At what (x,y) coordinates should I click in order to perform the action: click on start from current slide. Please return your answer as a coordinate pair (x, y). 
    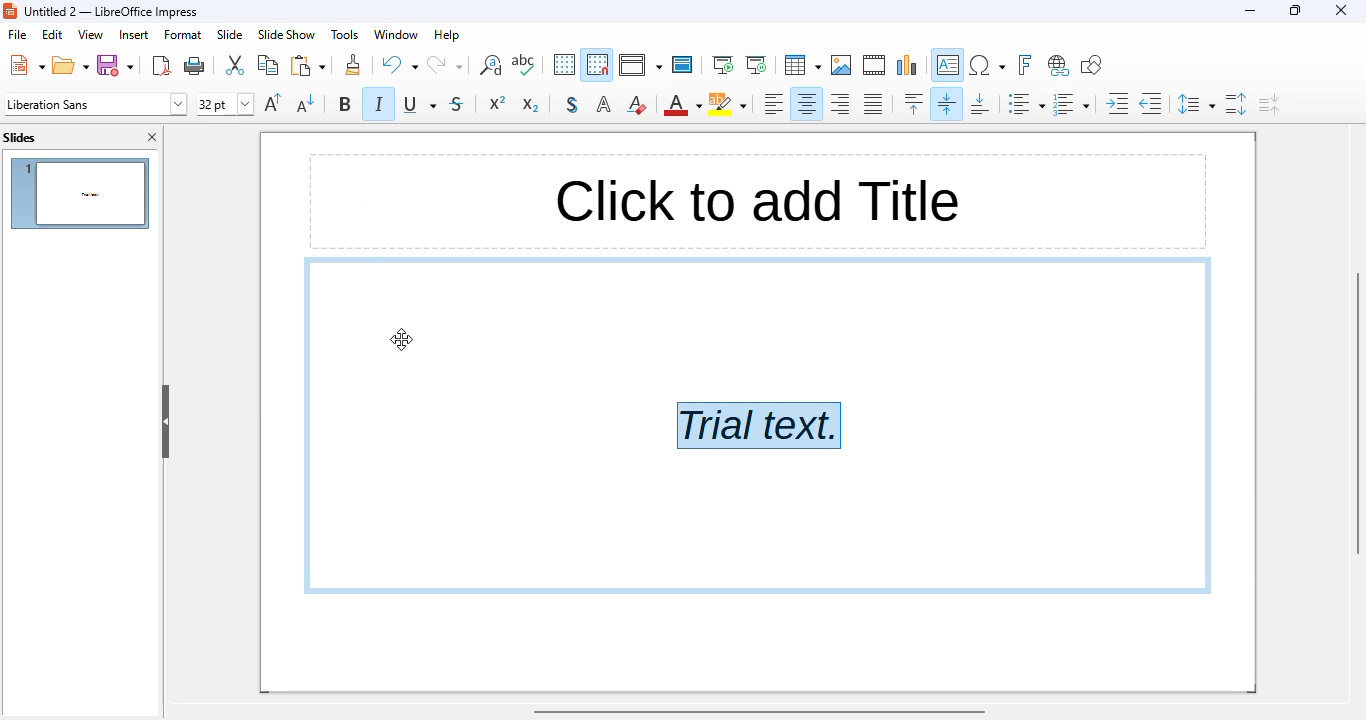
    Looking at the image, I should click on (757, 65).